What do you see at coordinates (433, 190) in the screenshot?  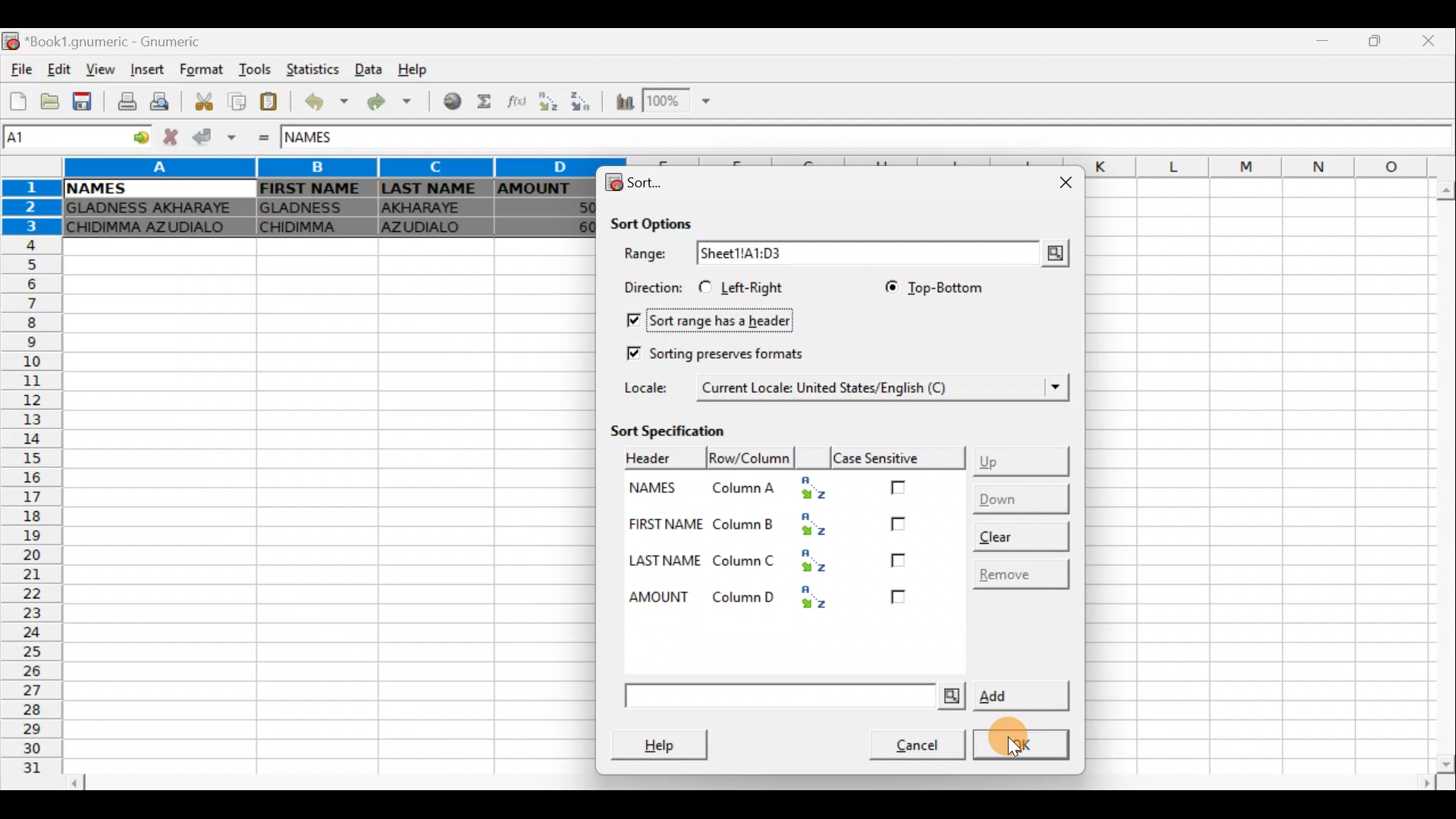 I see `LAST NAME` at bounding box center [433, 190].